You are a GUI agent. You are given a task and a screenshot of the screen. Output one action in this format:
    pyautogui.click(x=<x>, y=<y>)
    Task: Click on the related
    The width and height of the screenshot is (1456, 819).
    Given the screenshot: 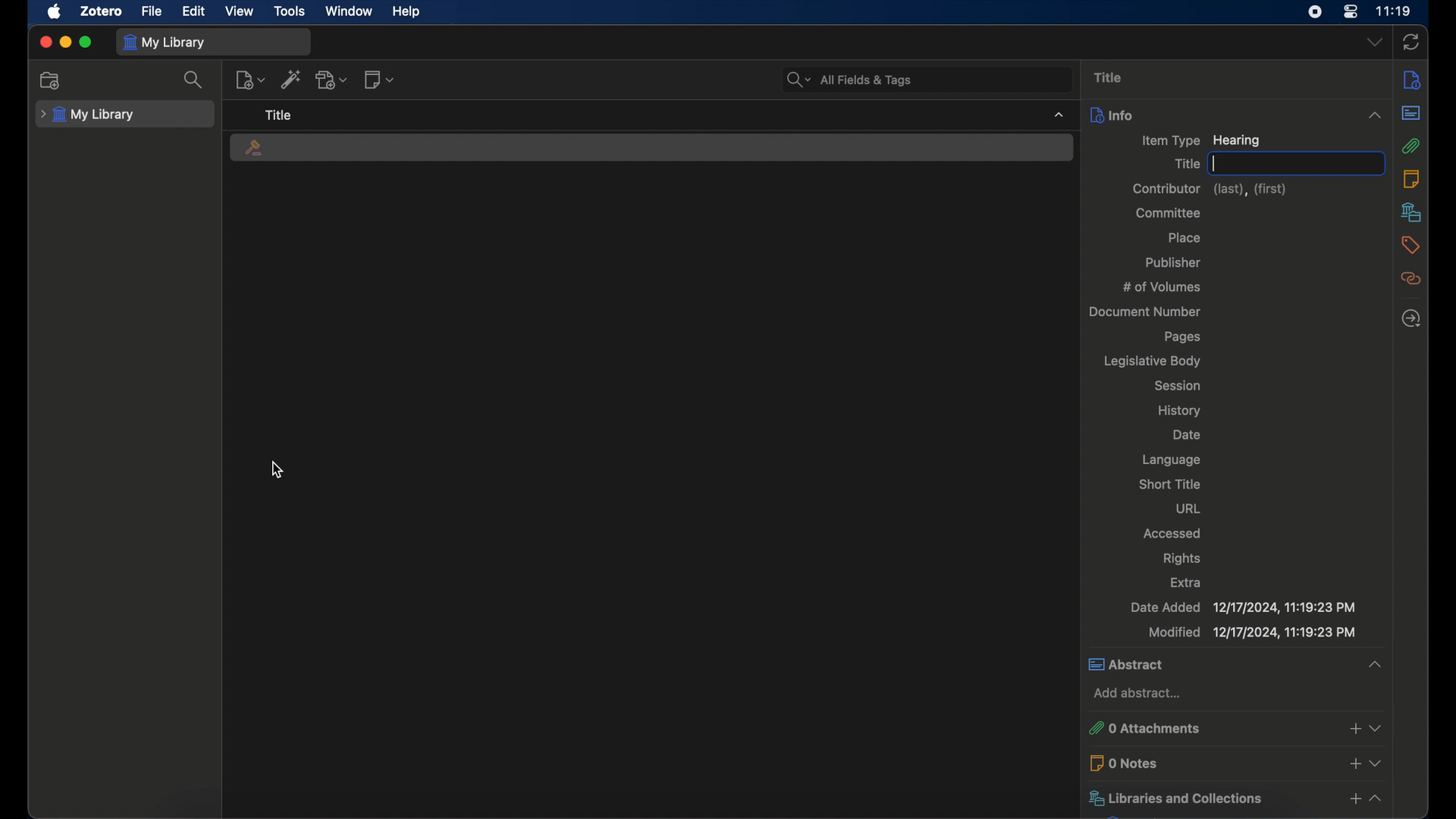 What is the action you would take?
    pyautogui.click(x=1410, y=278)
    